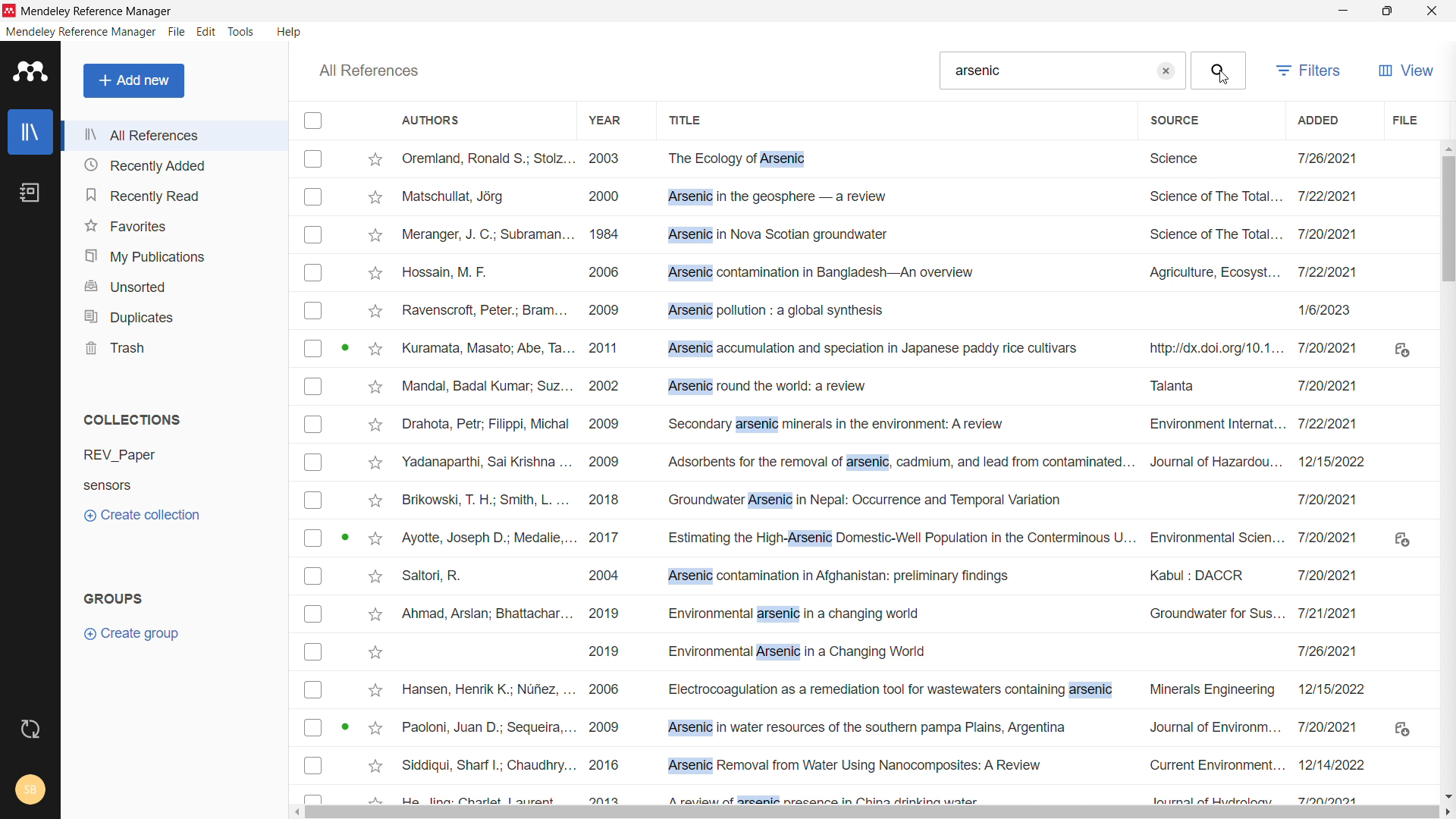  Describe the element at coordinates (878, 422) in the screenshot. I see `Drahota, Petr; Filippi, Michal 2009 Secondary arsenic minerals in the environment: A review Environment Internat... 7/22/2021` at that location.